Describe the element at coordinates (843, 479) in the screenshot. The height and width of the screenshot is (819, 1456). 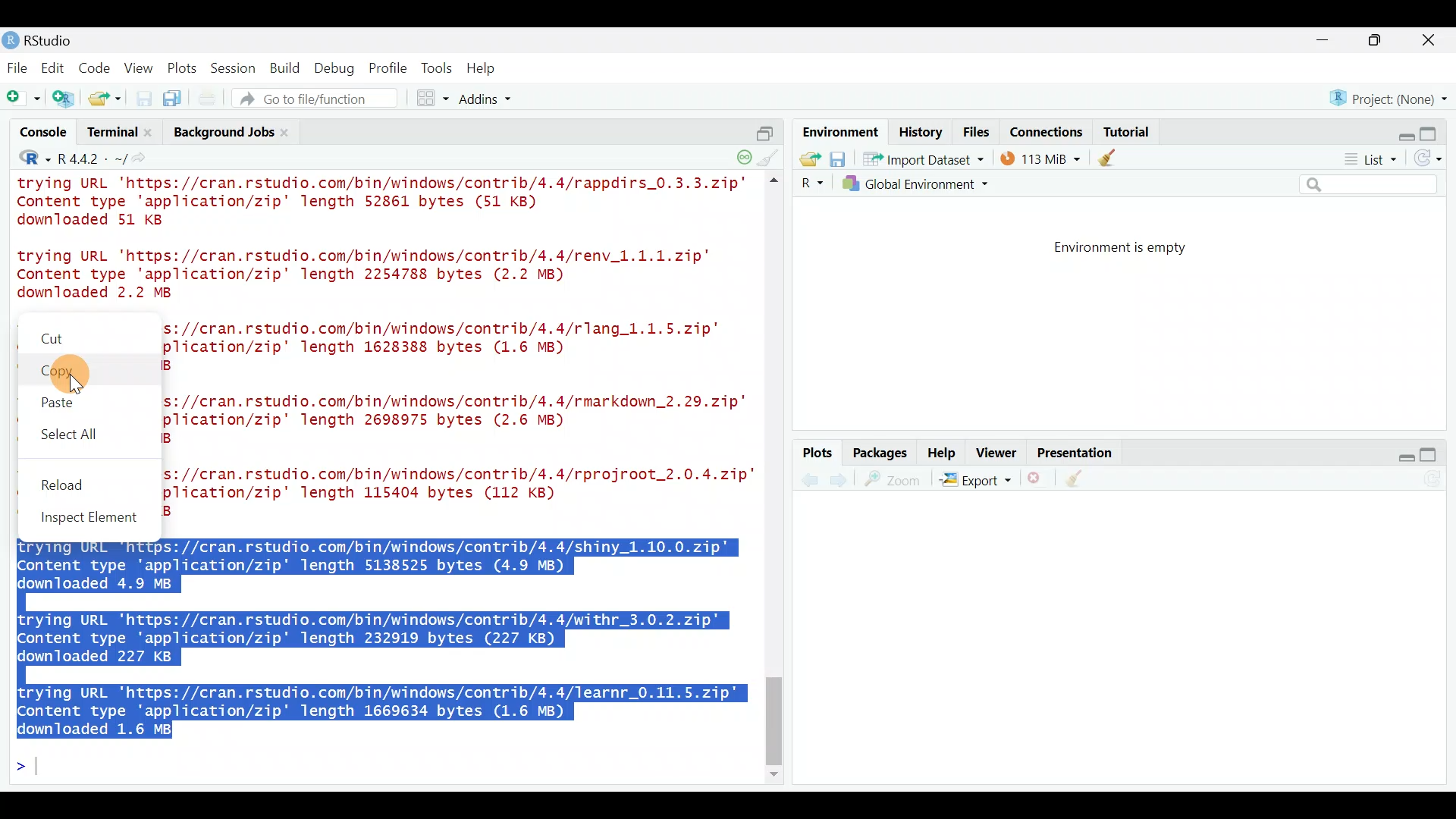
I see `previous plot` at that location.